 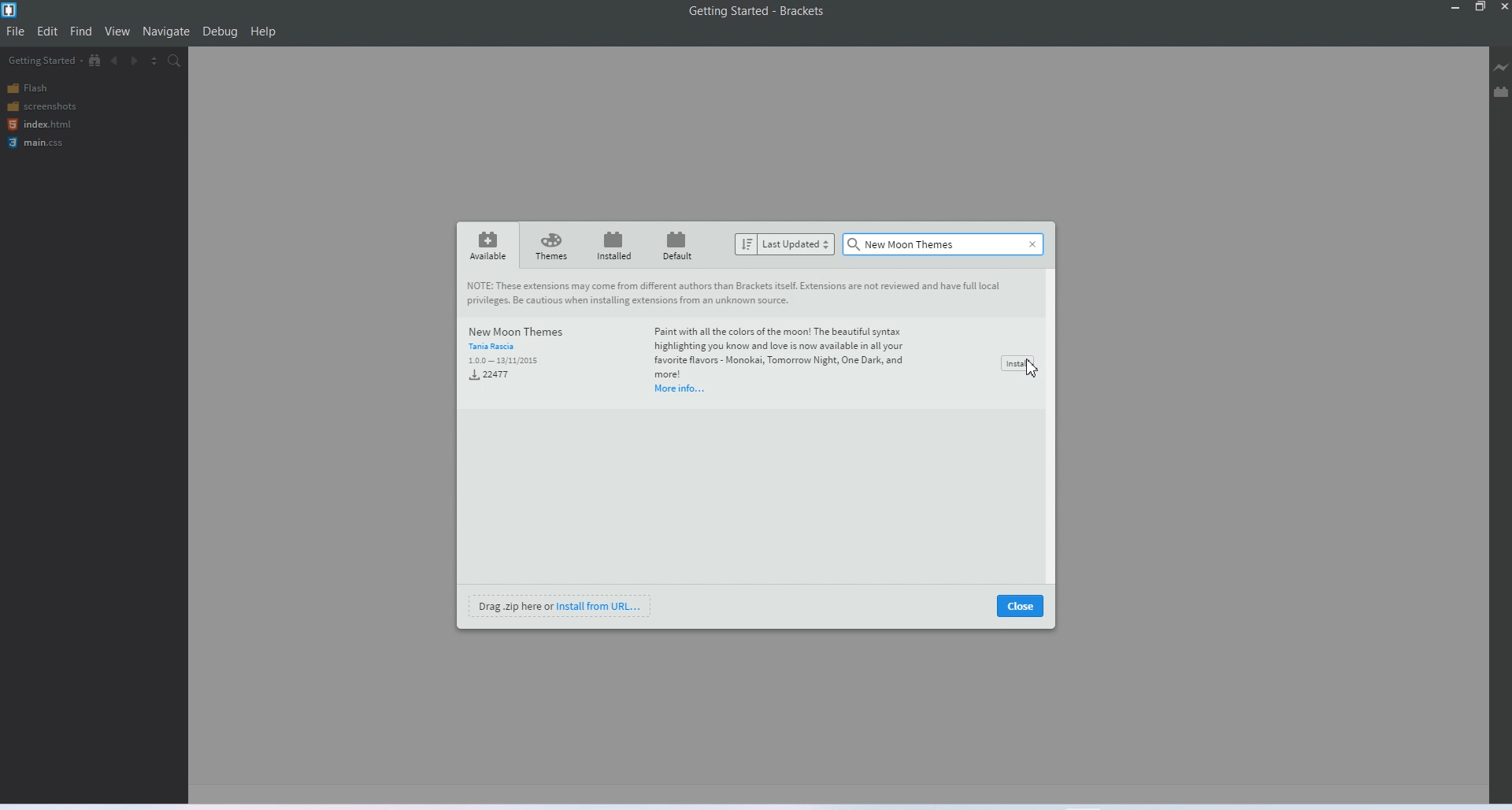 I want to click on Themes, so click(x=550, y=245).